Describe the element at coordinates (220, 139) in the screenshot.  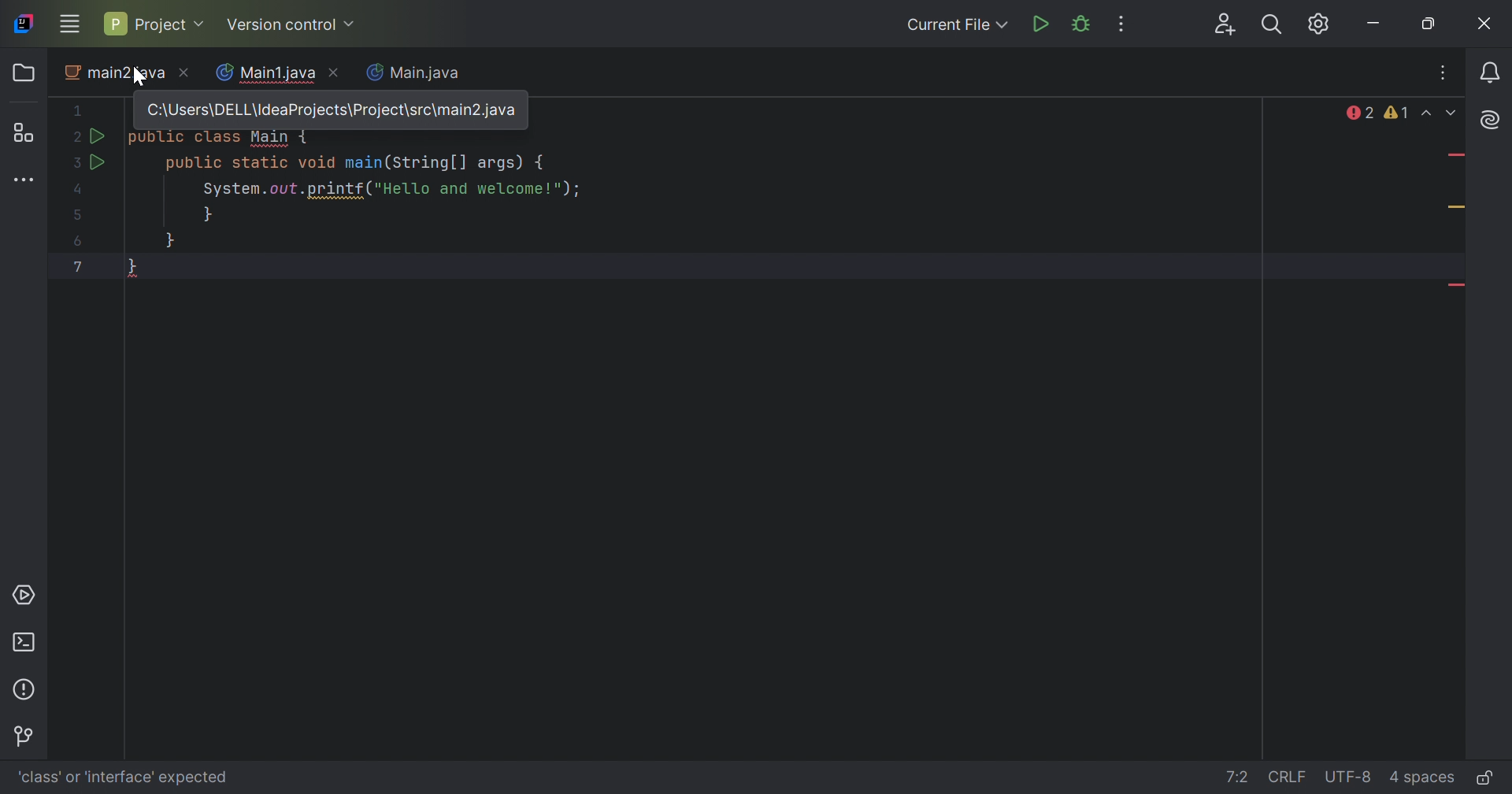
I see `public class Main {` at that location.